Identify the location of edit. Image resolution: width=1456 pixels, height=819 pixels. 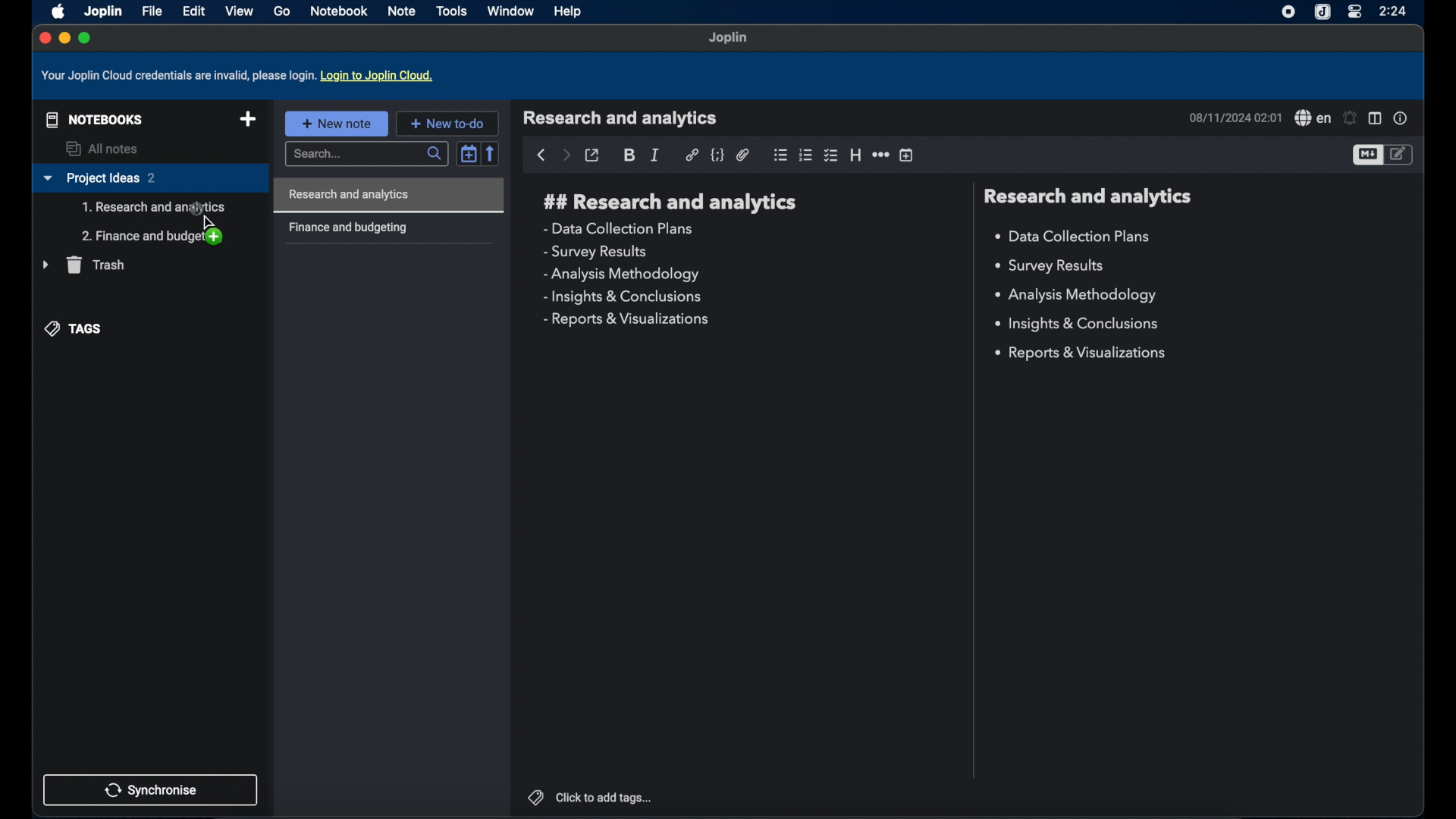
(193, 11).